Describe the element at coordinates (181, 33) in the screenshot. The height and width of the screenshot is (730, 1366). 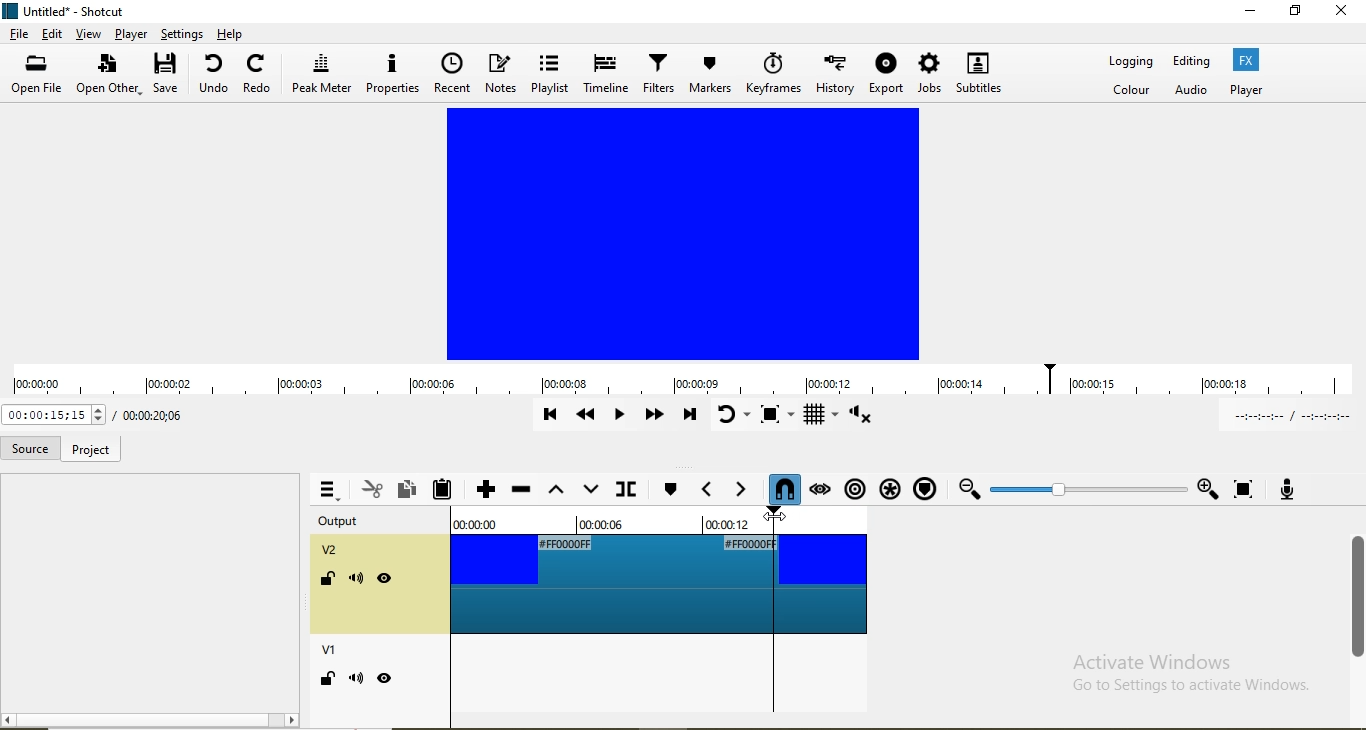
I see `settings` at that location.